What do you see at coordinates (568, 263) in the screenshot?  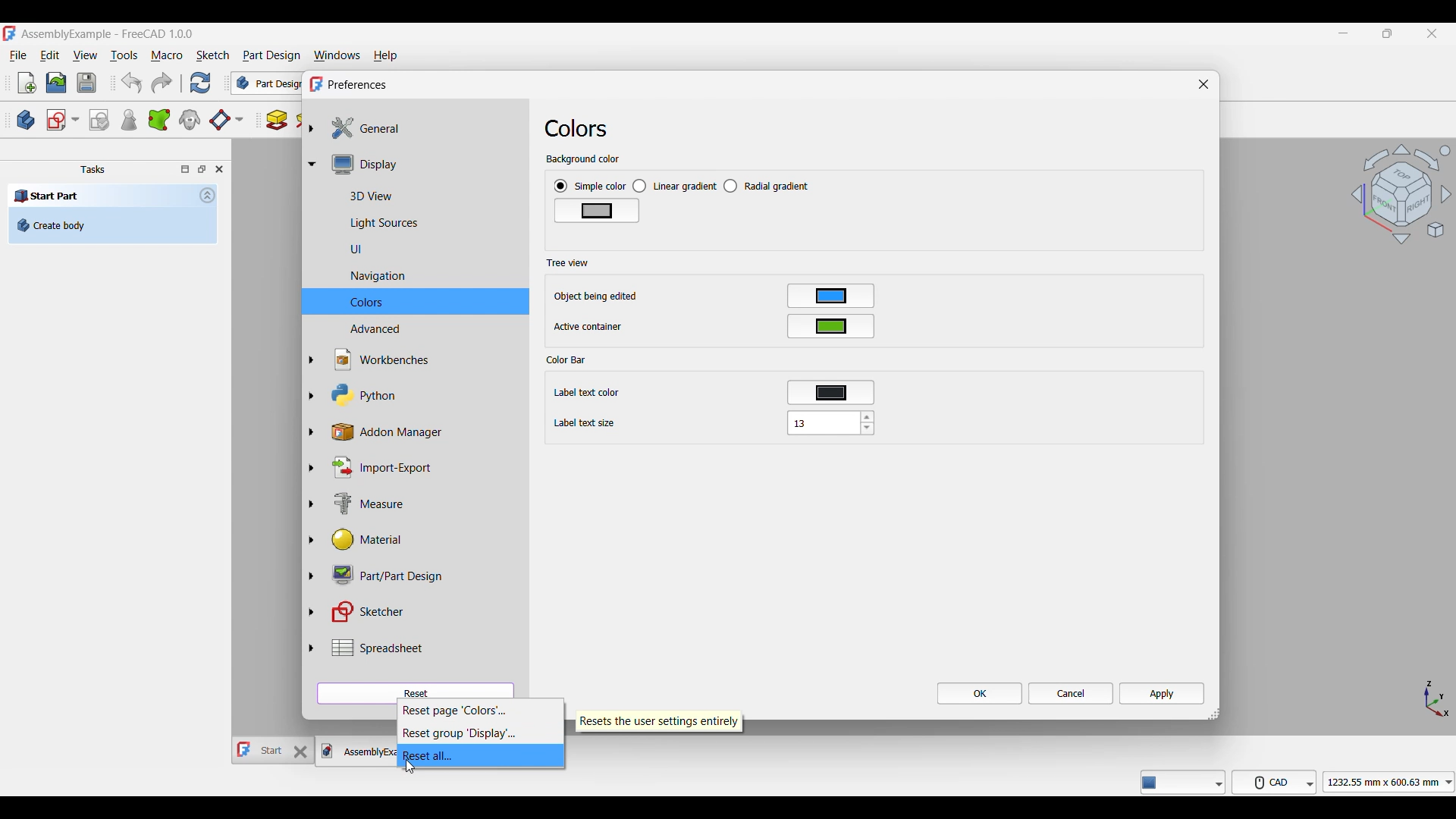 I see `Tree view` at bounding box center [568, 263].